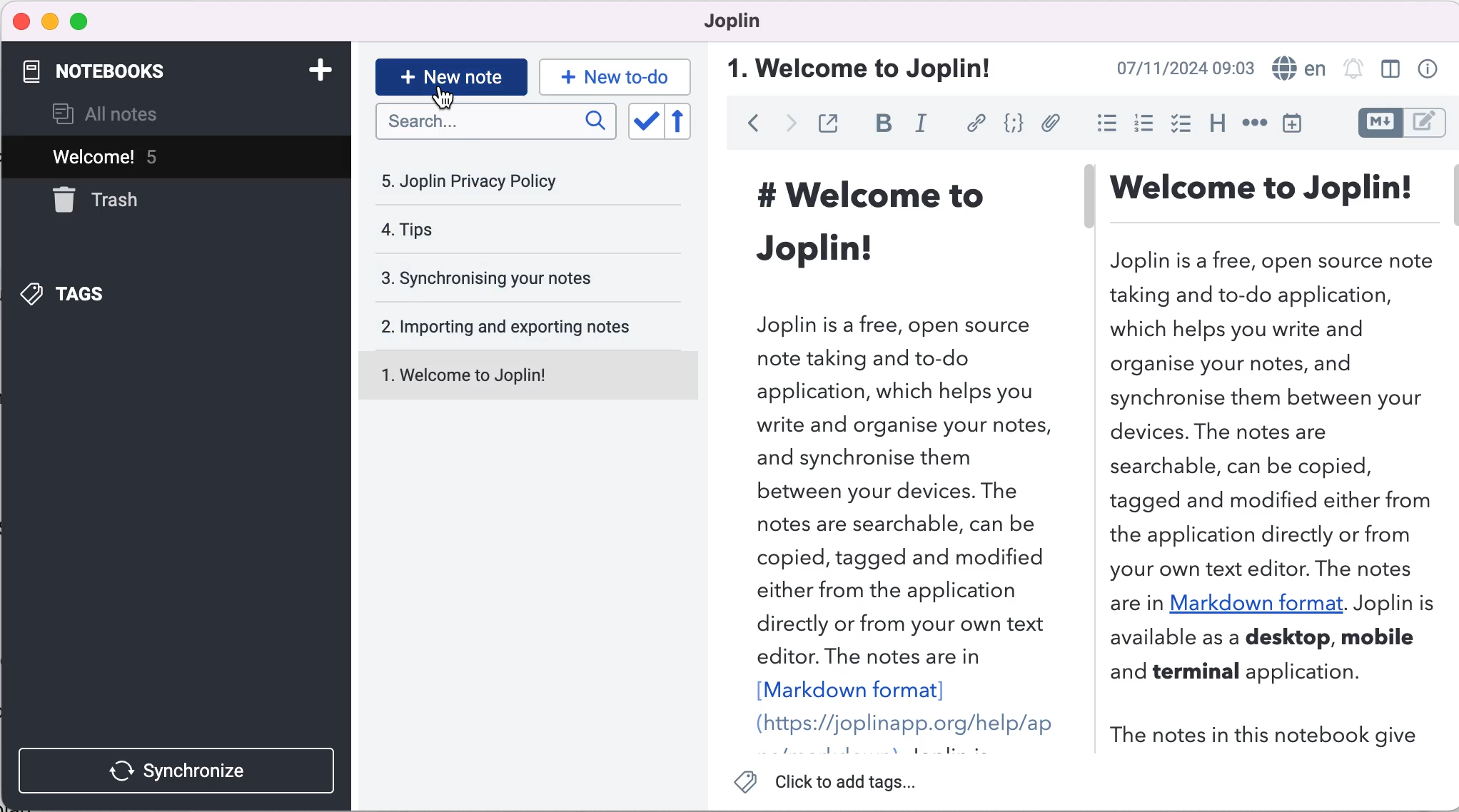 The width and height of the screenshot is (1459, 812). Describe the element at coordinates (747, 123) in the screenshot. I see `back` at that location.